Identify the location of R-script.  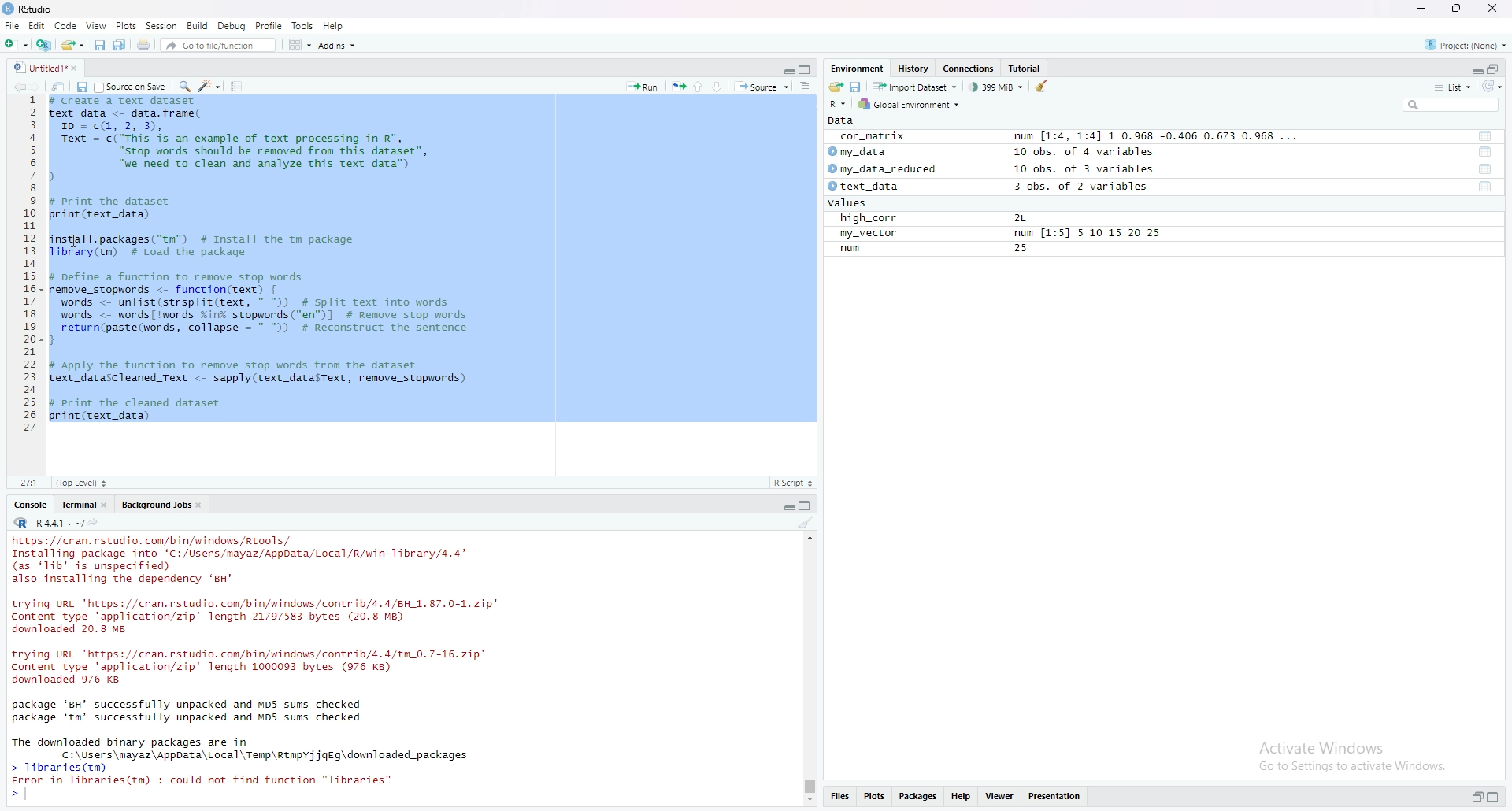
(796, 482).